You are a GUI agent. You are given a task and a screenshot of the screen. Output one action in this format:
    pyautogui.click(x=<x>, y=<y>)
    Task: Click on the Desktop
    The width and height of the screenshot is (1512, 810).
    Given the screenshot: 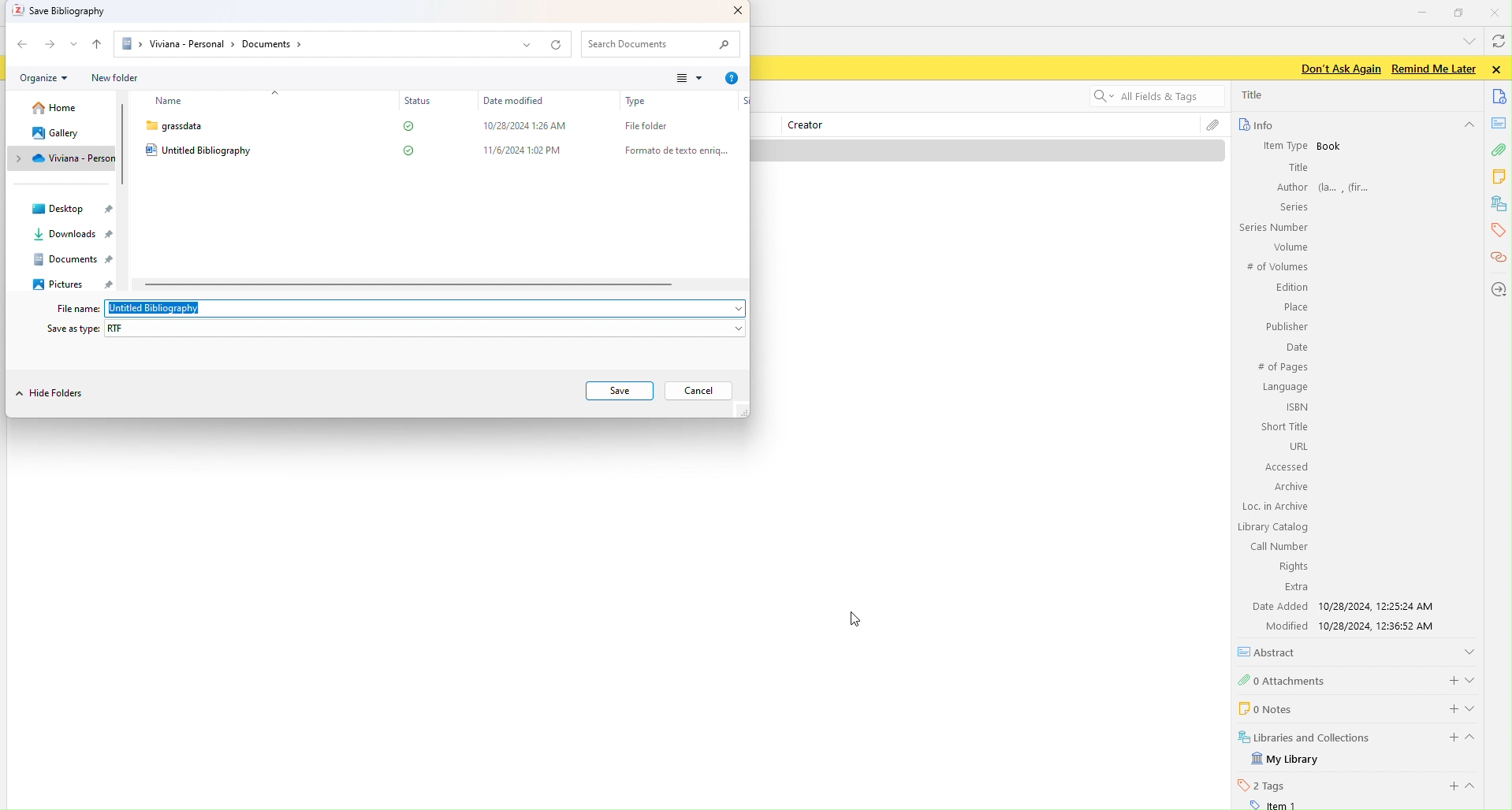 What is the action you would take?
    pyautogui.click(x=76, y=208)
    